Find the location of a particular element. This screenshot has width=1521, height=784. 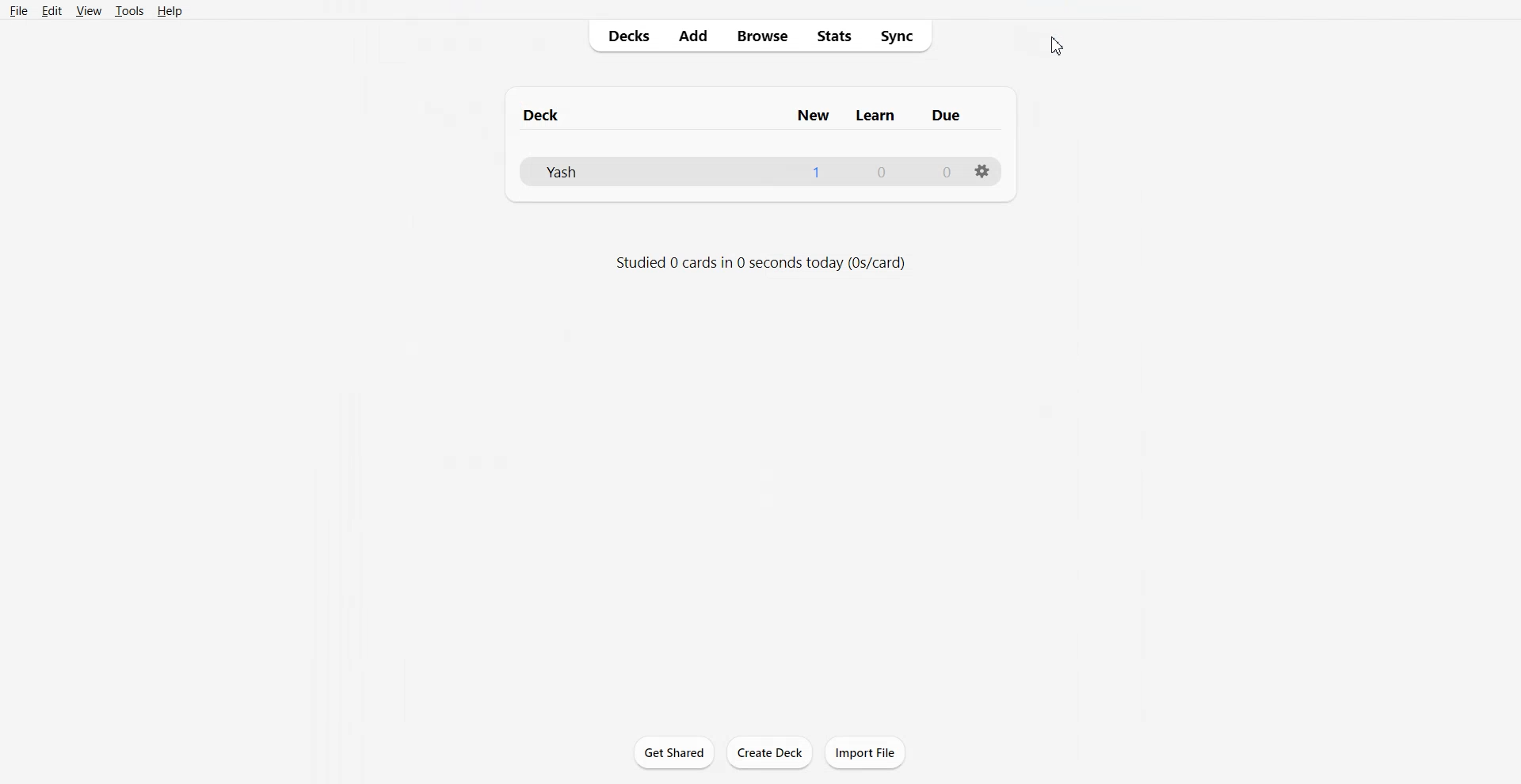

Cursor is located at coordinates (1058, 47).